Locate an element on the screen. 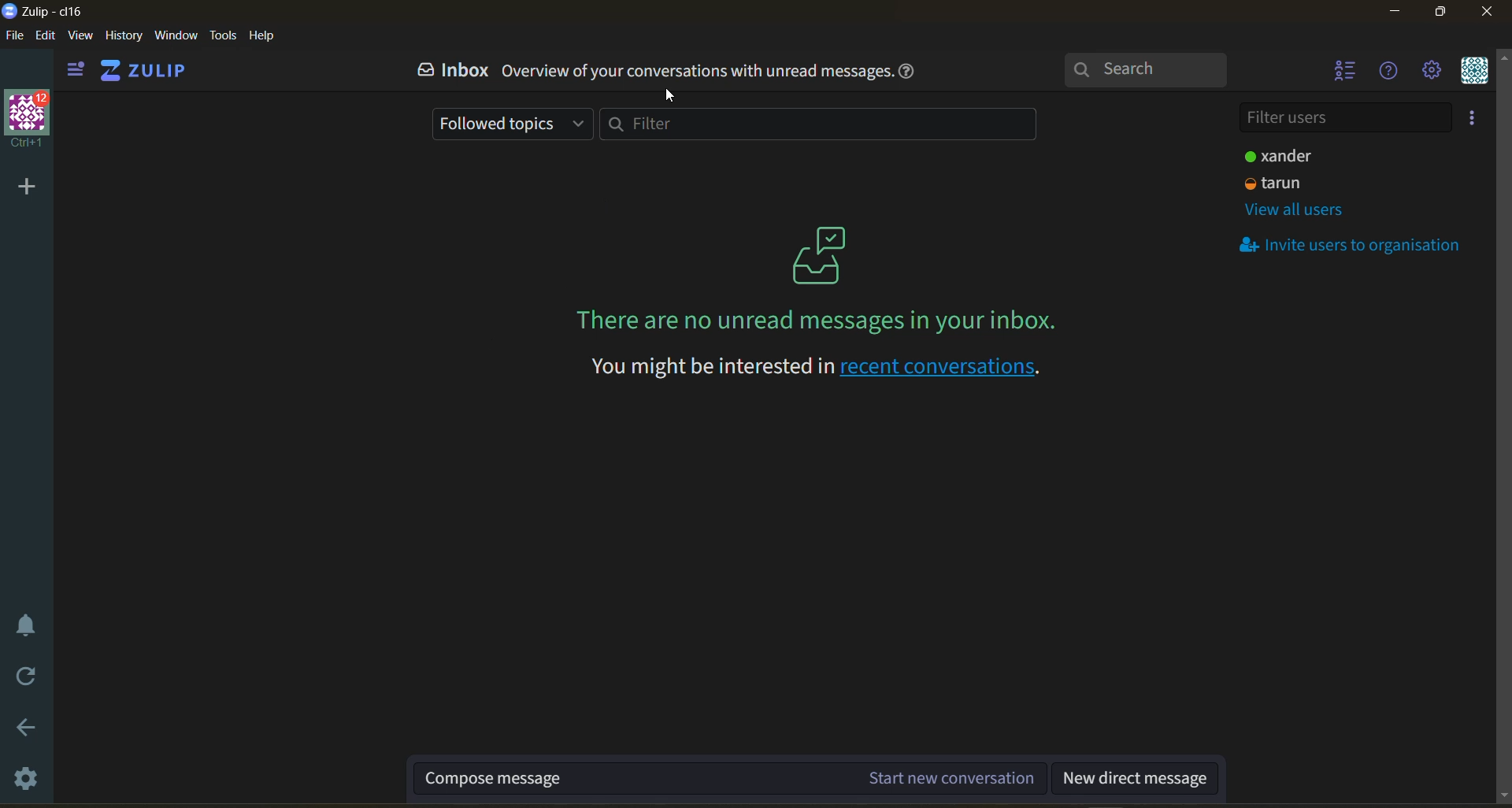 Image resolution: width=1512 pixels, height=808 pixels. search is located at coordinates (1143, 68).